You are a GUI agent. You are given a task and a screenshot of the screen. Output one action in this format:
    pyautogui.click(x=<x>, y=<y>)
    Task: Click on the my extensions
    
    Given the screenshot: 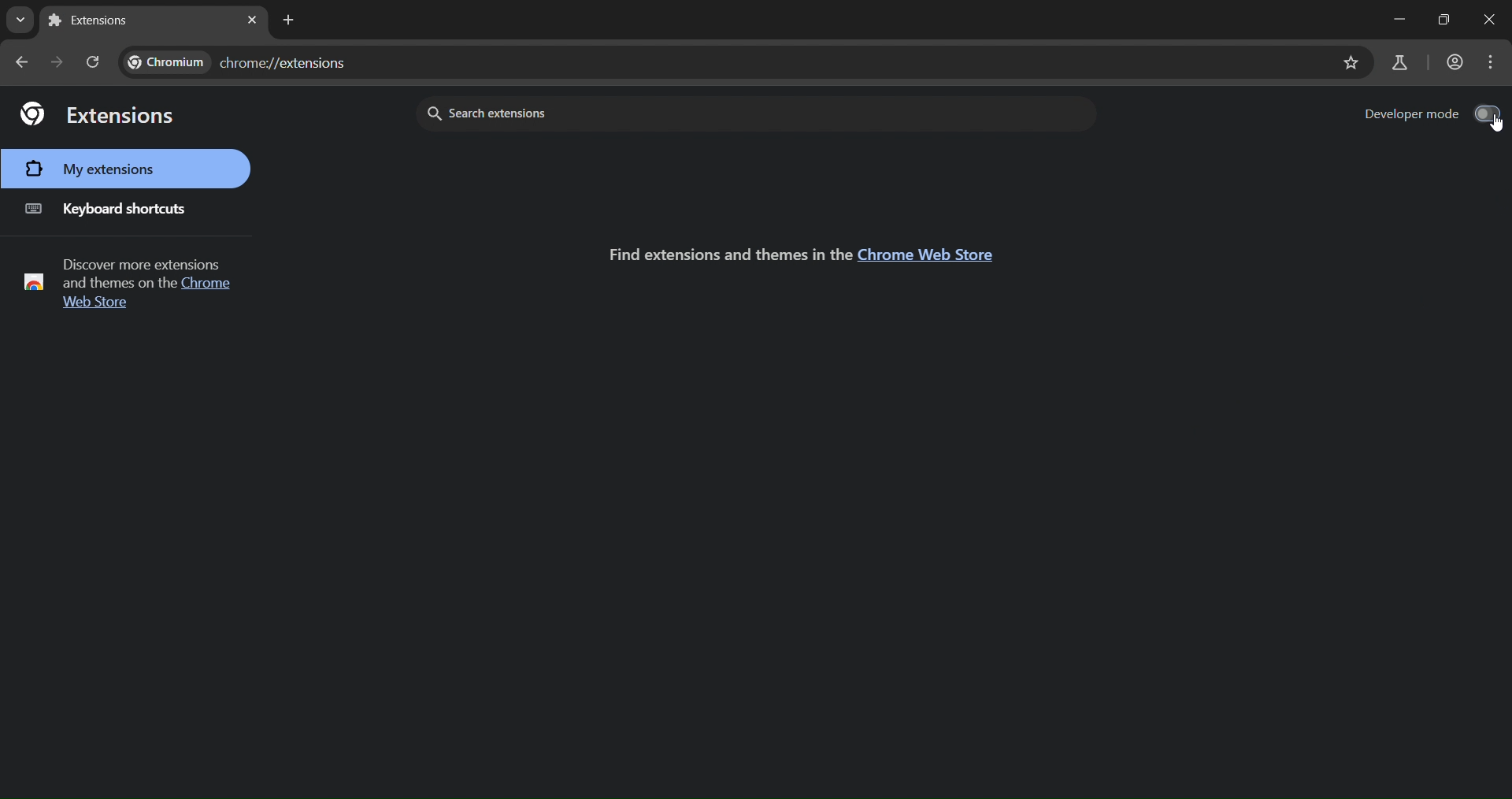 What is the action you would take?
    pyautogui.click(x=96, y=169)
    